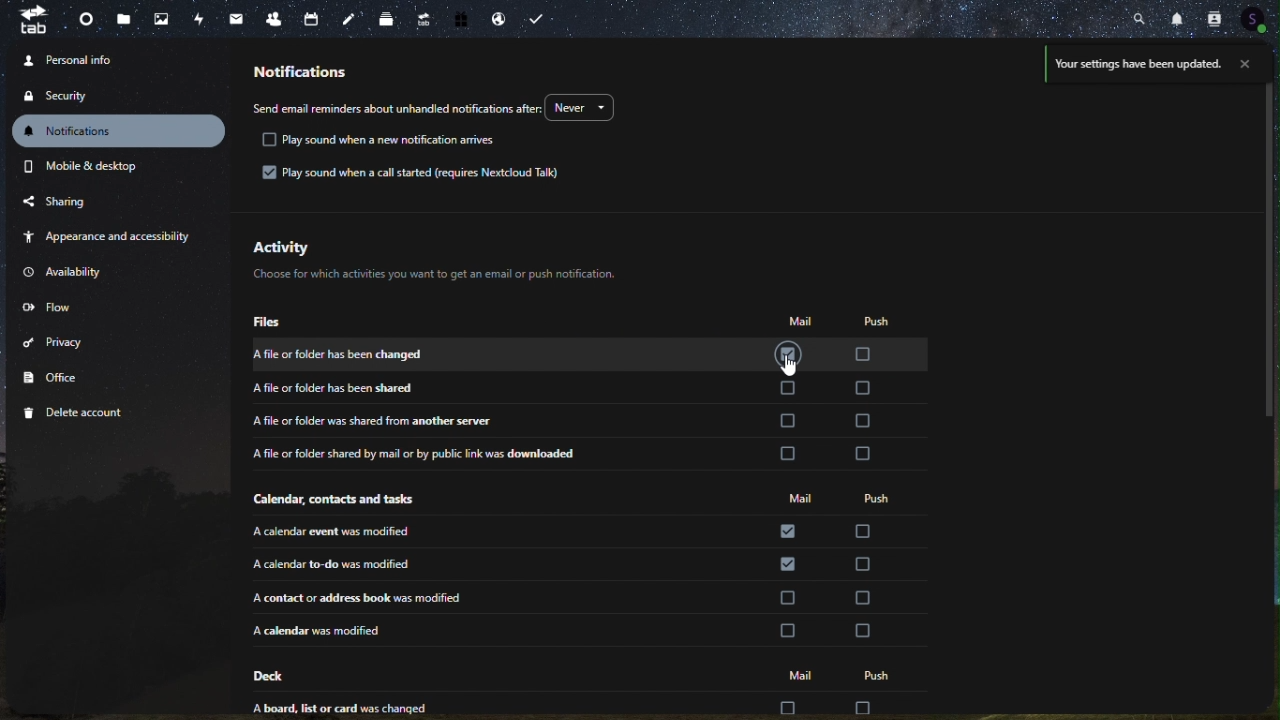 The width and height of the screenshot is (1280, 720). What do you see at coordinates (342, 564) in the screenshot?
I see `a calender to-do was modified` at bounding box center [342, 564].